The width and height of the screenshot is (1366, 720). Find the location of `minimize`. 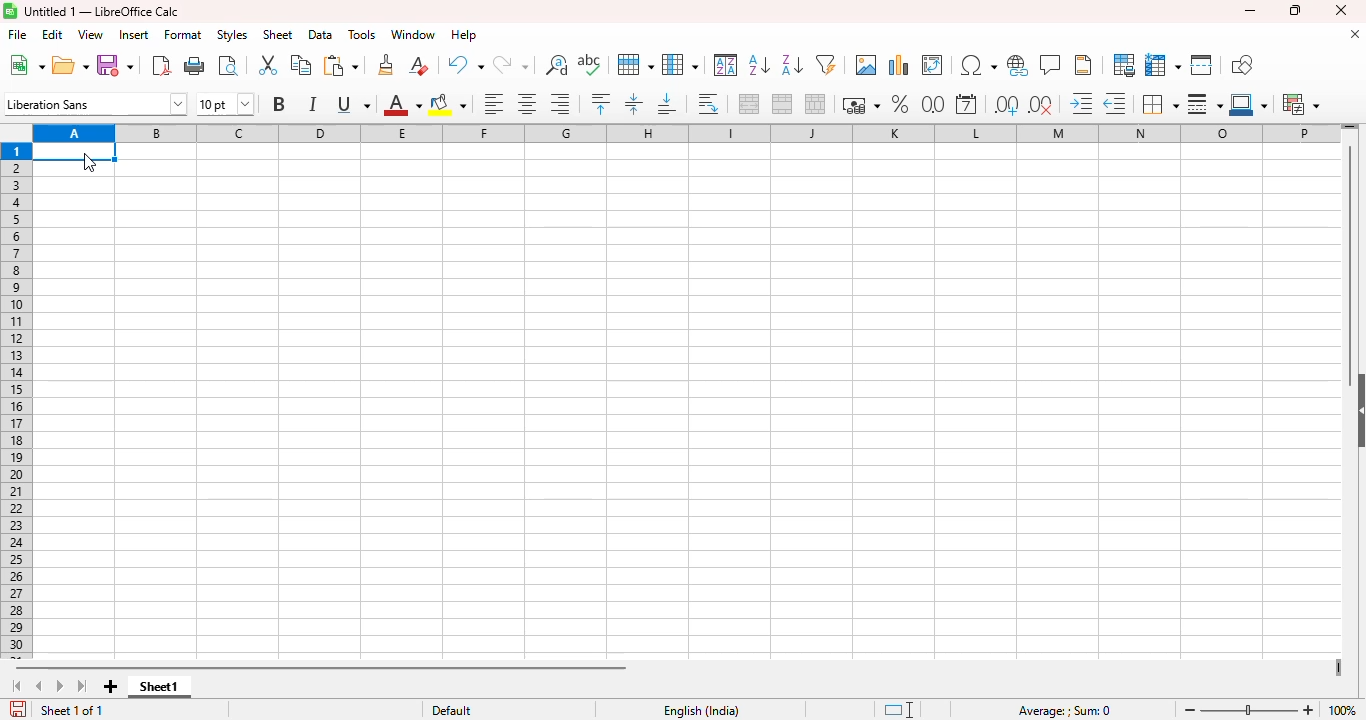

minimize is located at coordinates (1250, 10).